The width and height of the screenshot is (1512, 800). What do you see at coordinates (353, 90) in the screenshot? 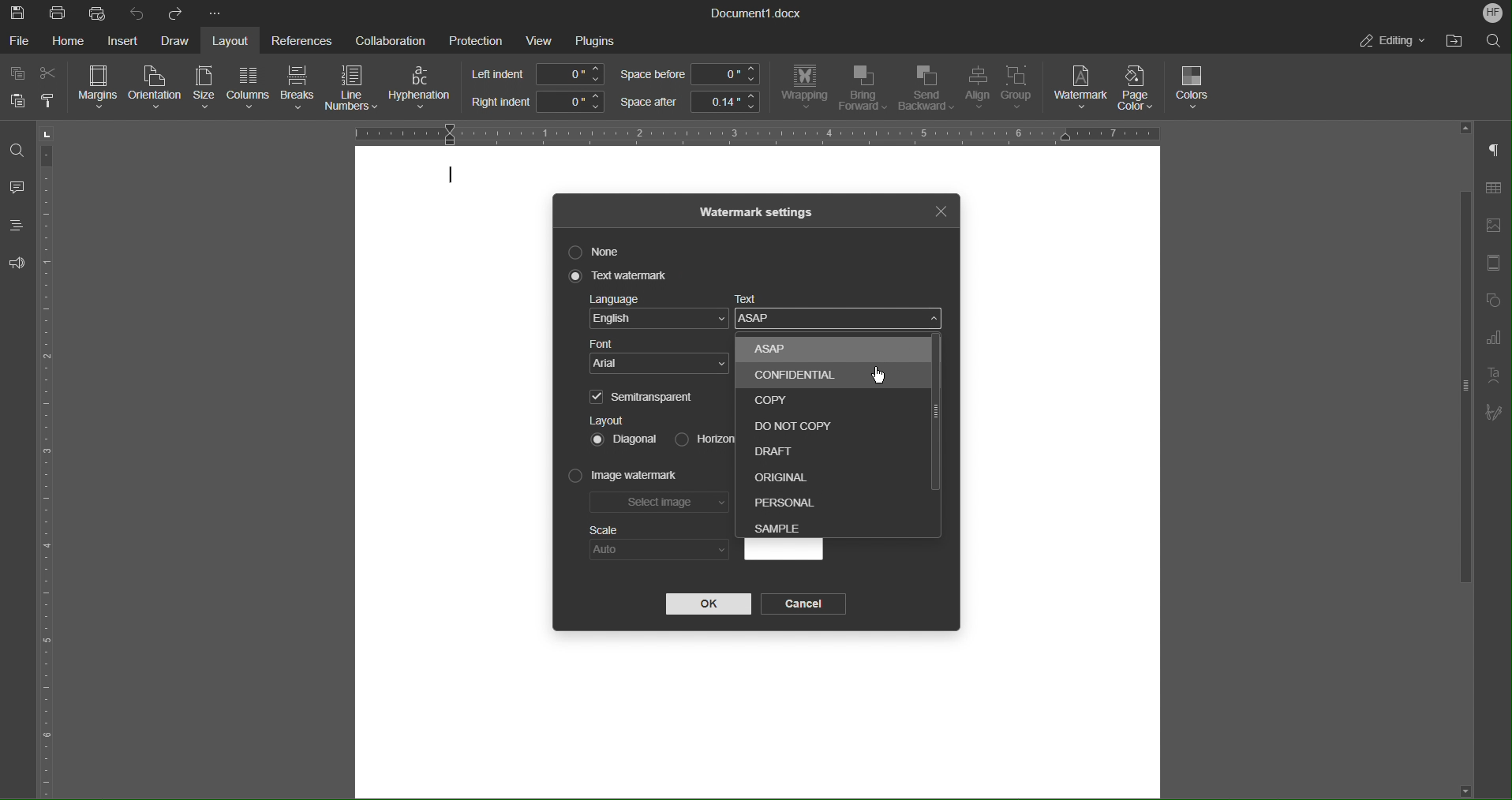
I see `Line Numbers` at bounding box center [353, 90].